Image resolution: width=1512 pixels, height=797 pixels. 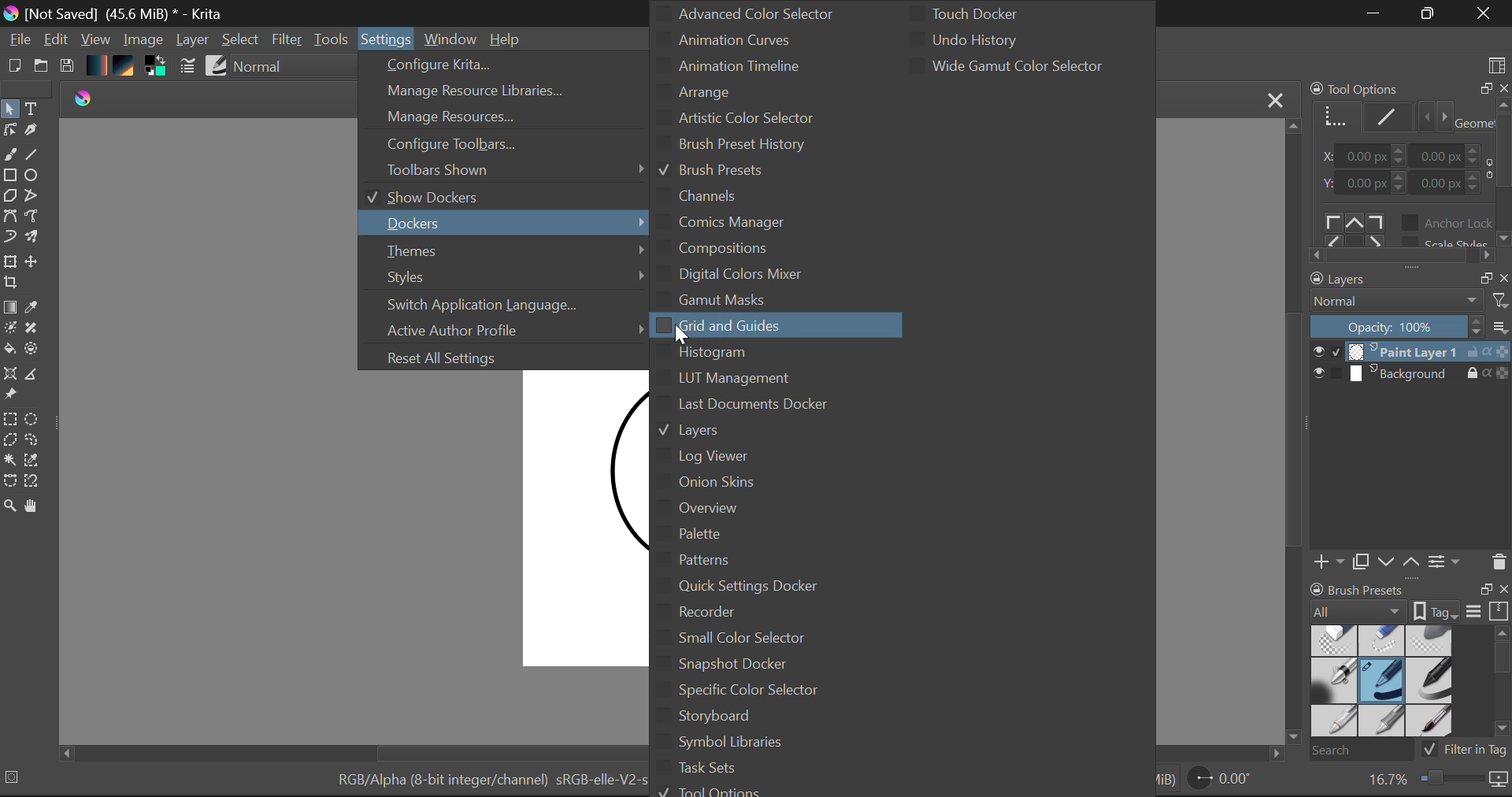 I want to click on Window Title, so click(x=117, y=13).